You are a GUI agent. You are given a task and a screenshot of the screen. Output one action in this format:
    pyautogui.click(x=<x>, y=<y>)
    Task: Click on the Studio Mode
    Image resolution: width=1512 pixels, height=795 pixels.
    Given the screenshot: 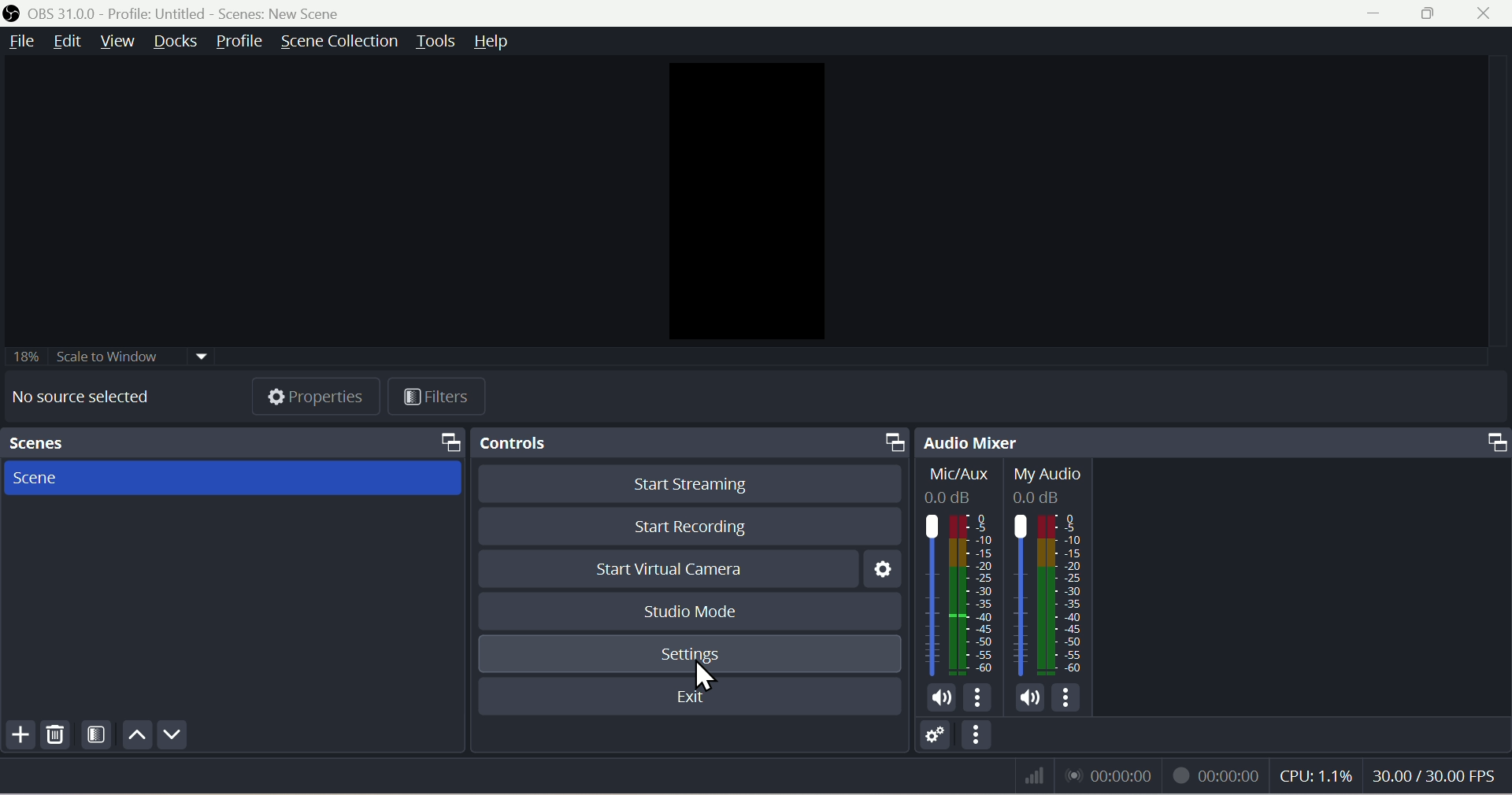 What is the action you would take?
    pyautogui.click(x=695, y=612)
    